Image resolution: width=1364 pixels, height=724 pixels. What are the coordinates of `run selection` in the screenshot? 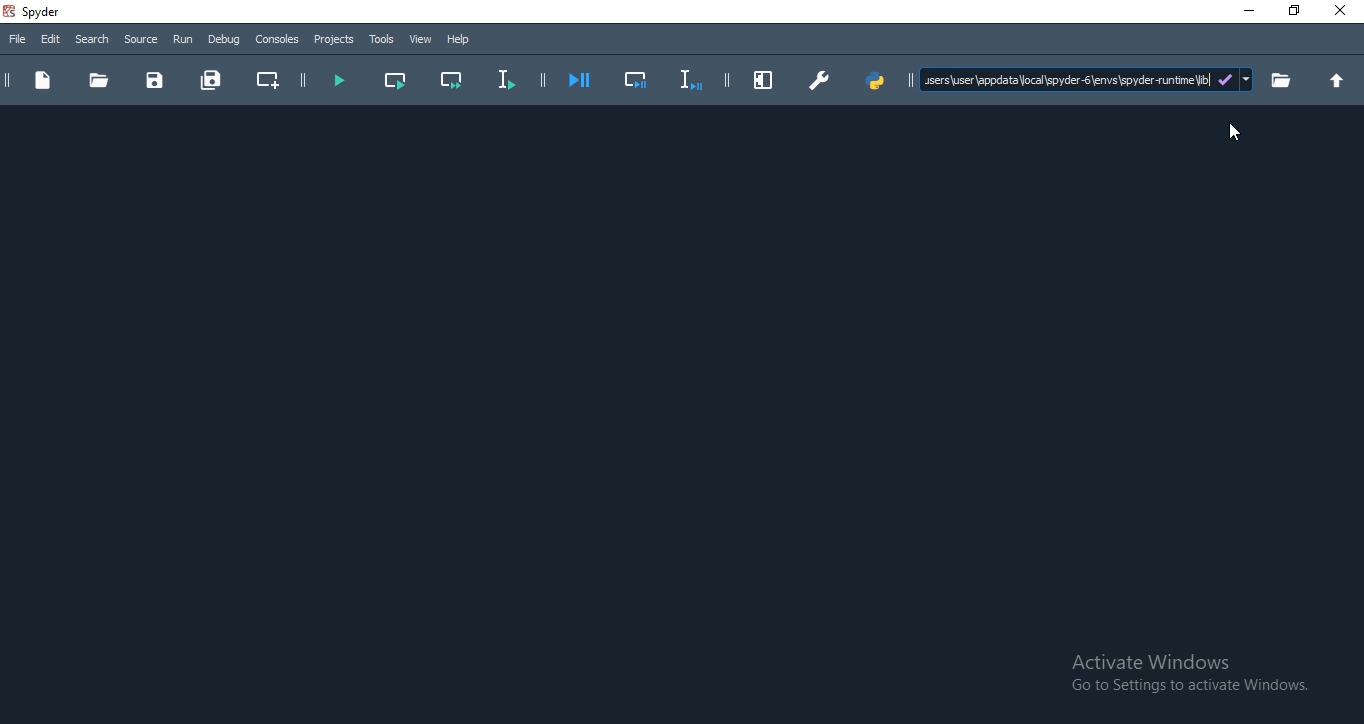 It's located at (505, 81).